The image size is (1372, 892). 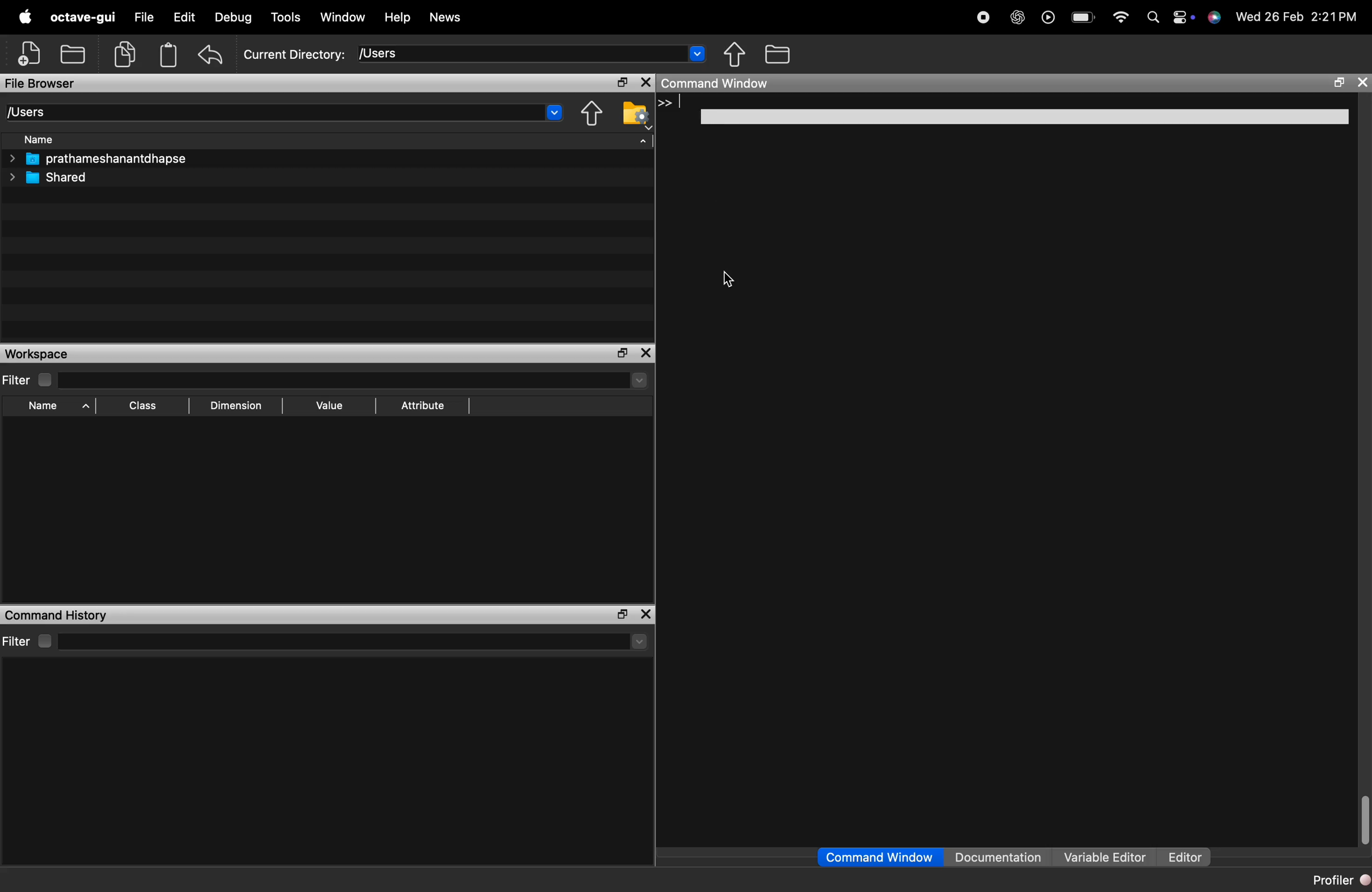 I want to click on [Users, so click(x=28, y=112).